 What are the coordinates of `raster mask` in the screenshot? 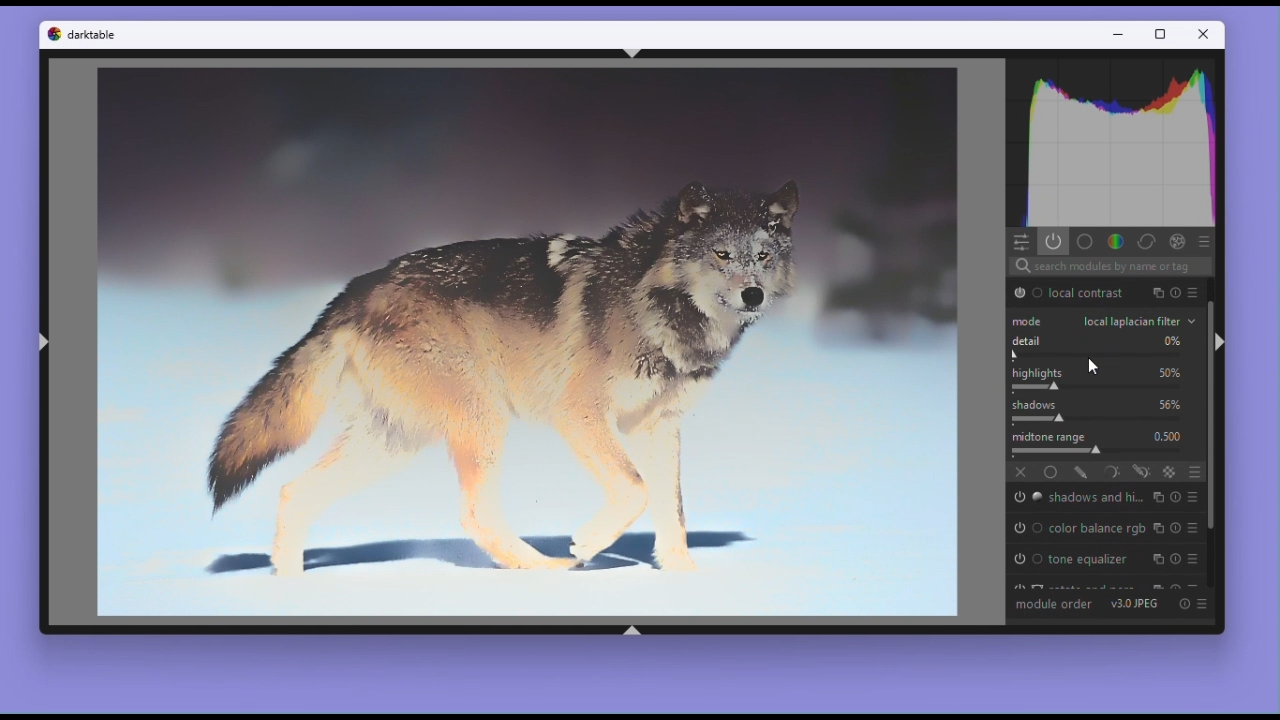 It's located at (1171, 471).